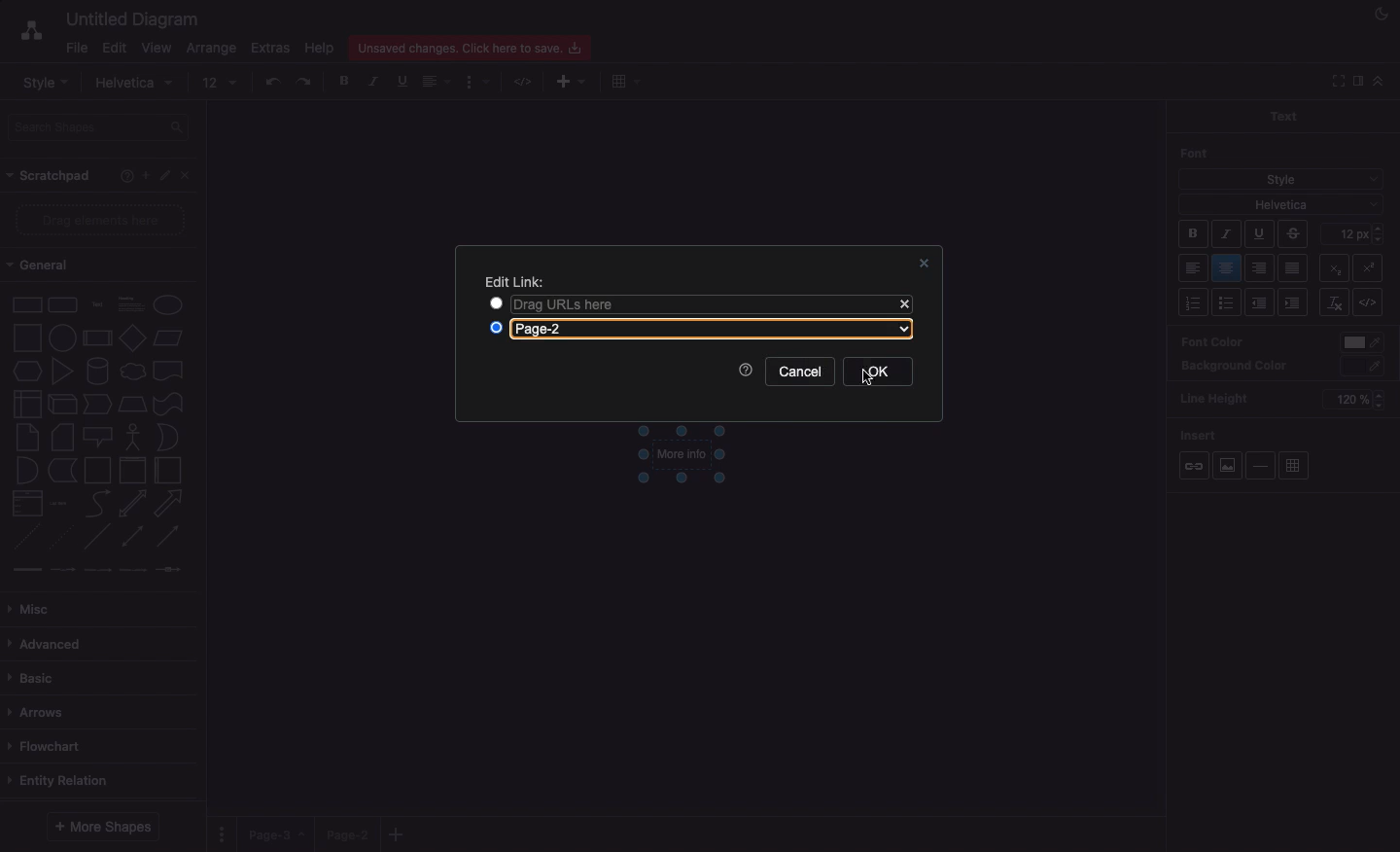 The height and width of the screenshot is (852, 1400). Describe the element at coordinates (1279, 179) in the screenshot. I see `Style` at that location.